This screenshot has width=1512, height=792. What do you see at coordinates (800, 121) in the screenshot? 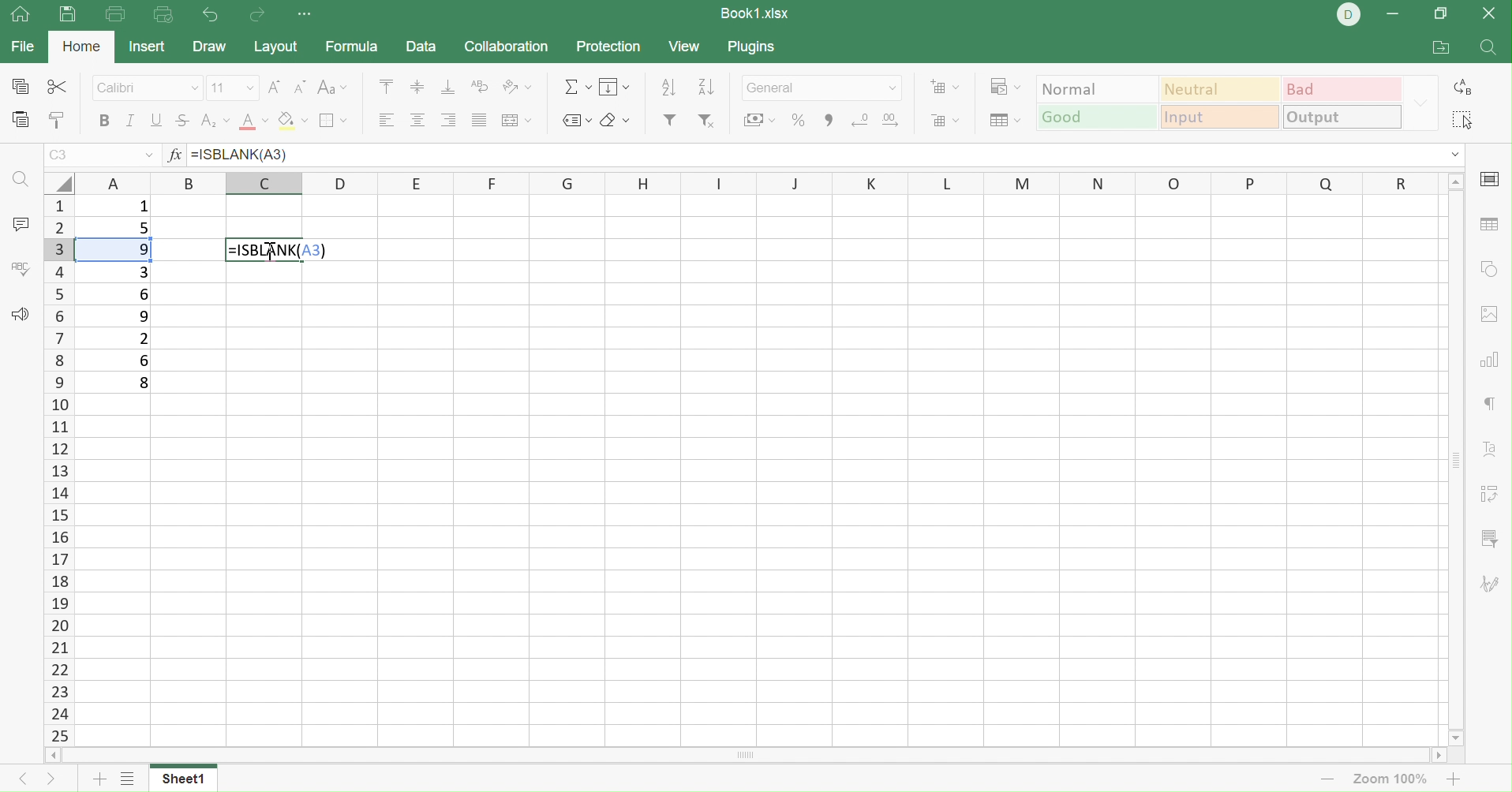
I see `Percent style` at bounding box center [800, 121].